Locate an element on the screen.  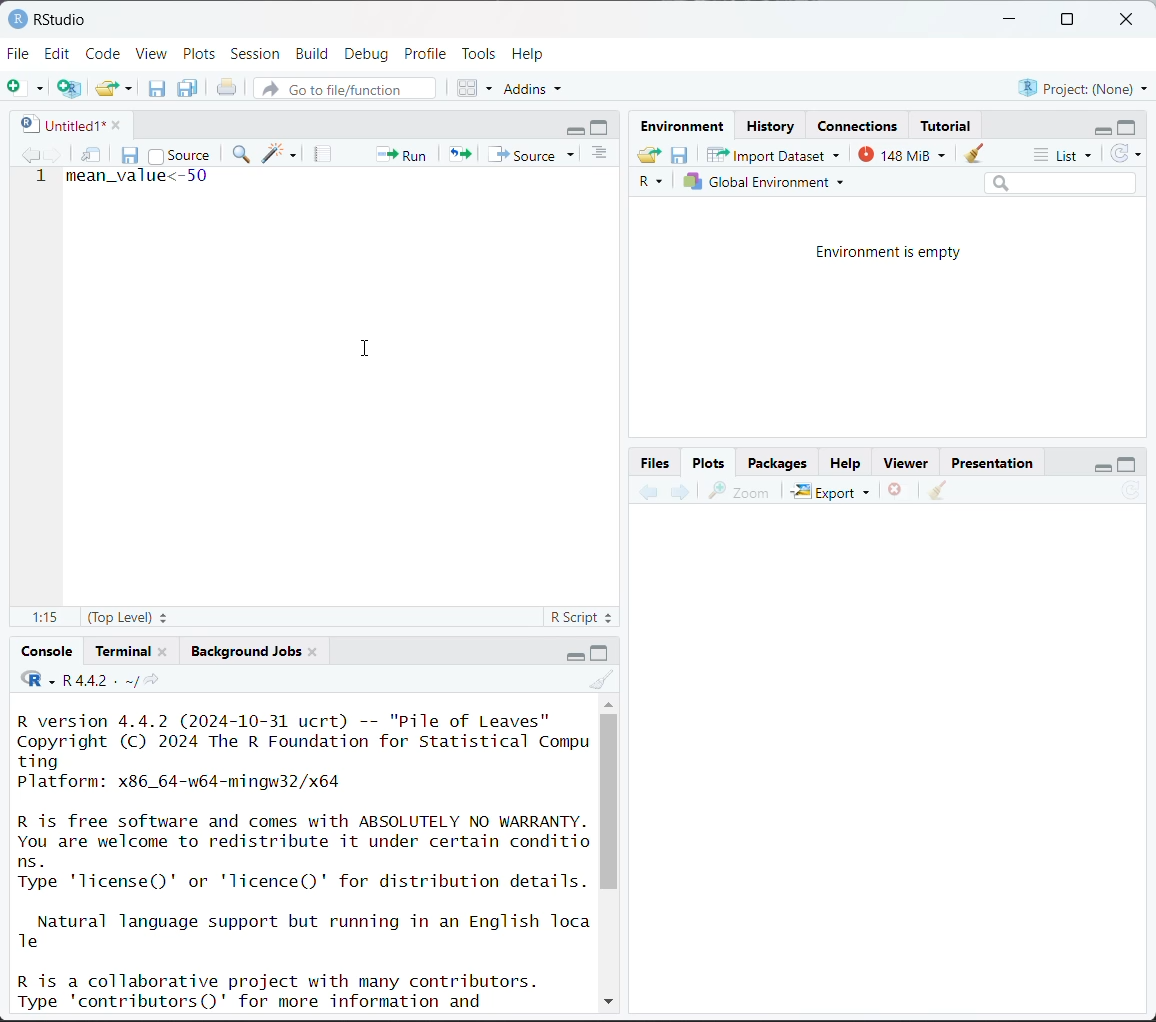
 is located at coordinates (657, 462).